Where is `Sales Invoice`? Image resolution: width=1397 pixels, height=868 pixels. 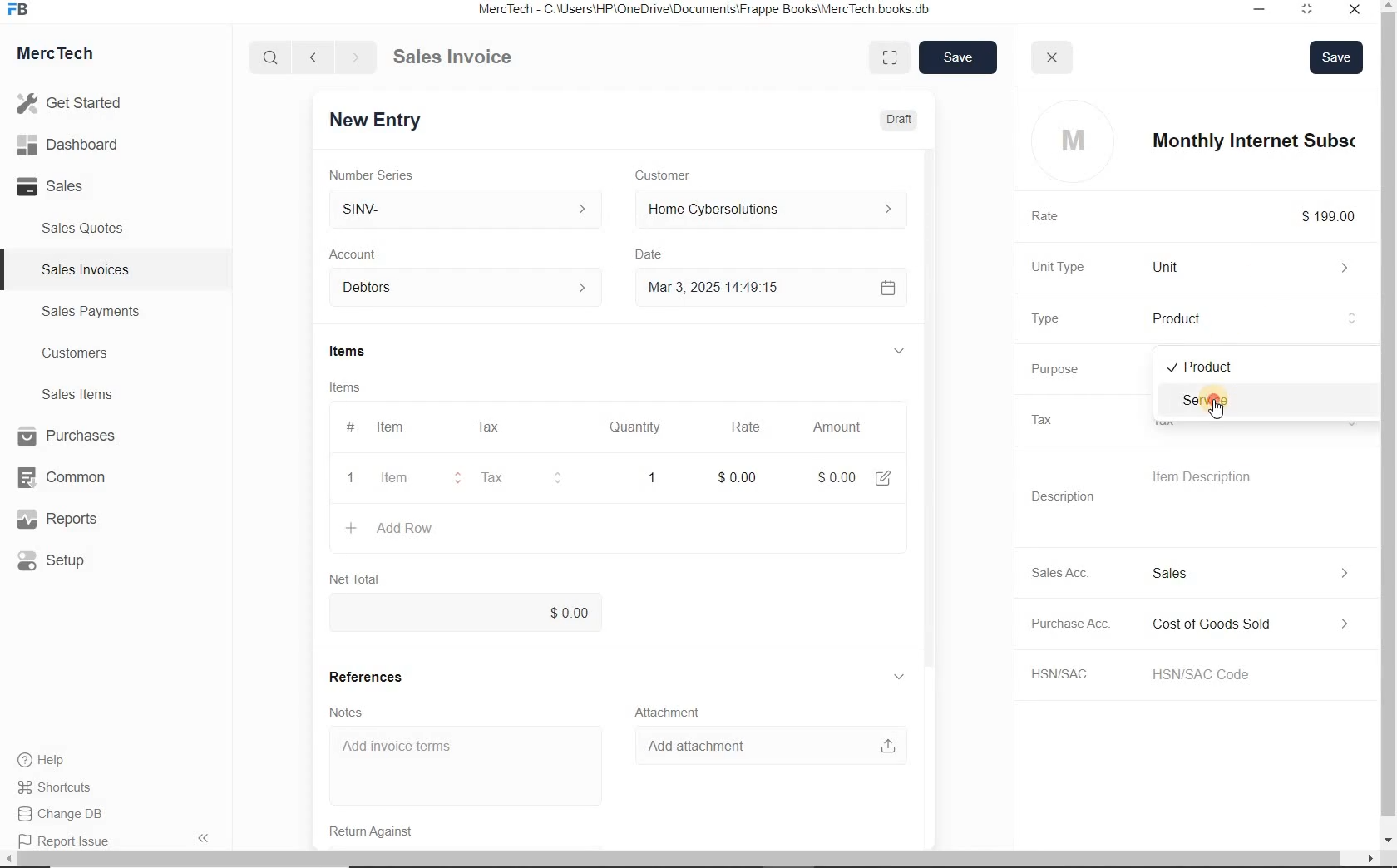 Sales Invoice is located at coordinates (454, 58).